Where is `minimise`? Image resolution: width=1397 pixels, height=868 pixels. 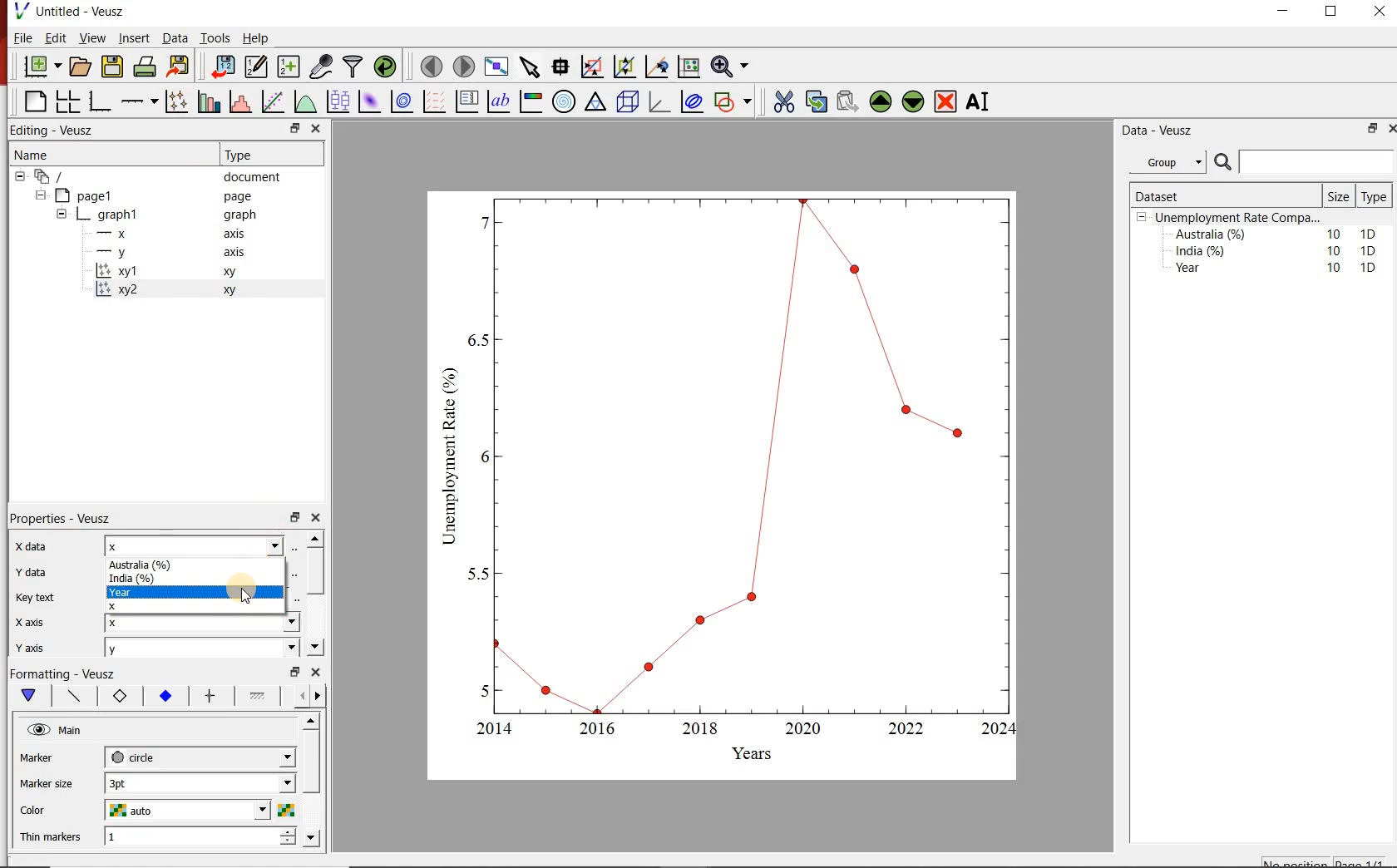 minimise is located at coordinates (294, 516).